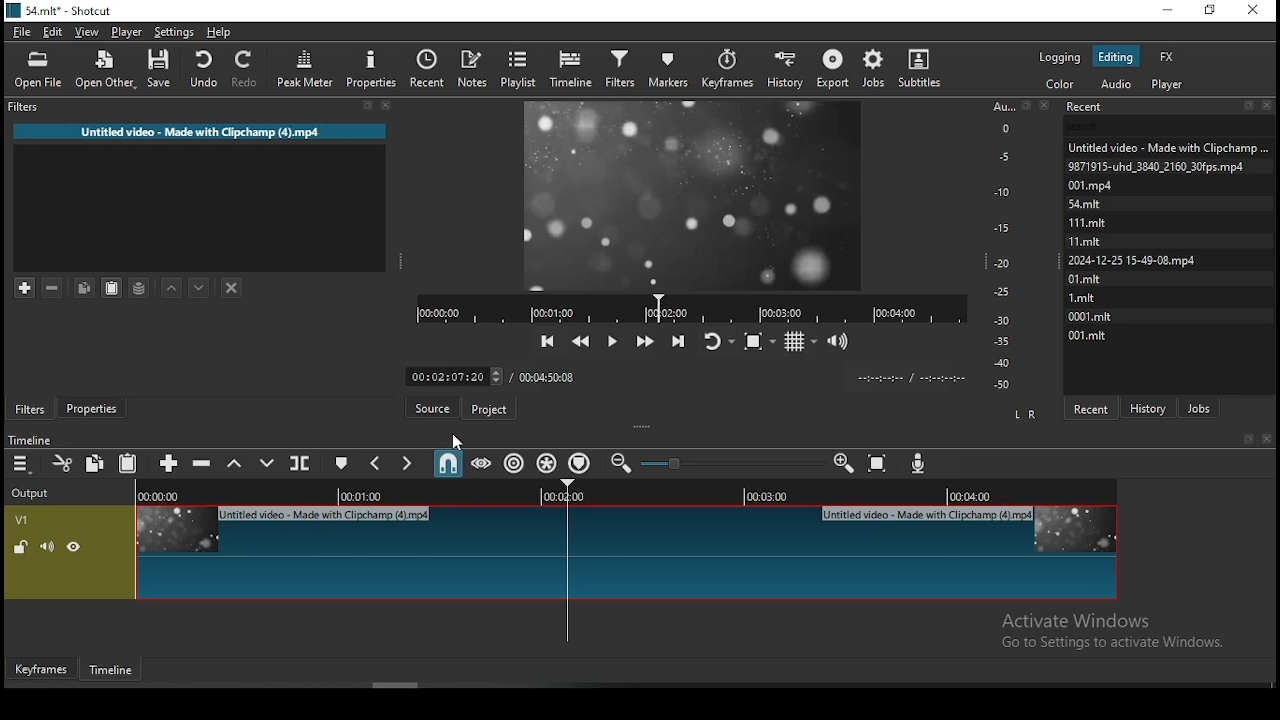 The image size is (1280, 720). What do you see at coordinates (692, 309) in the screenshot?
I see `playback progress bar` at bounding box center [692, 309].